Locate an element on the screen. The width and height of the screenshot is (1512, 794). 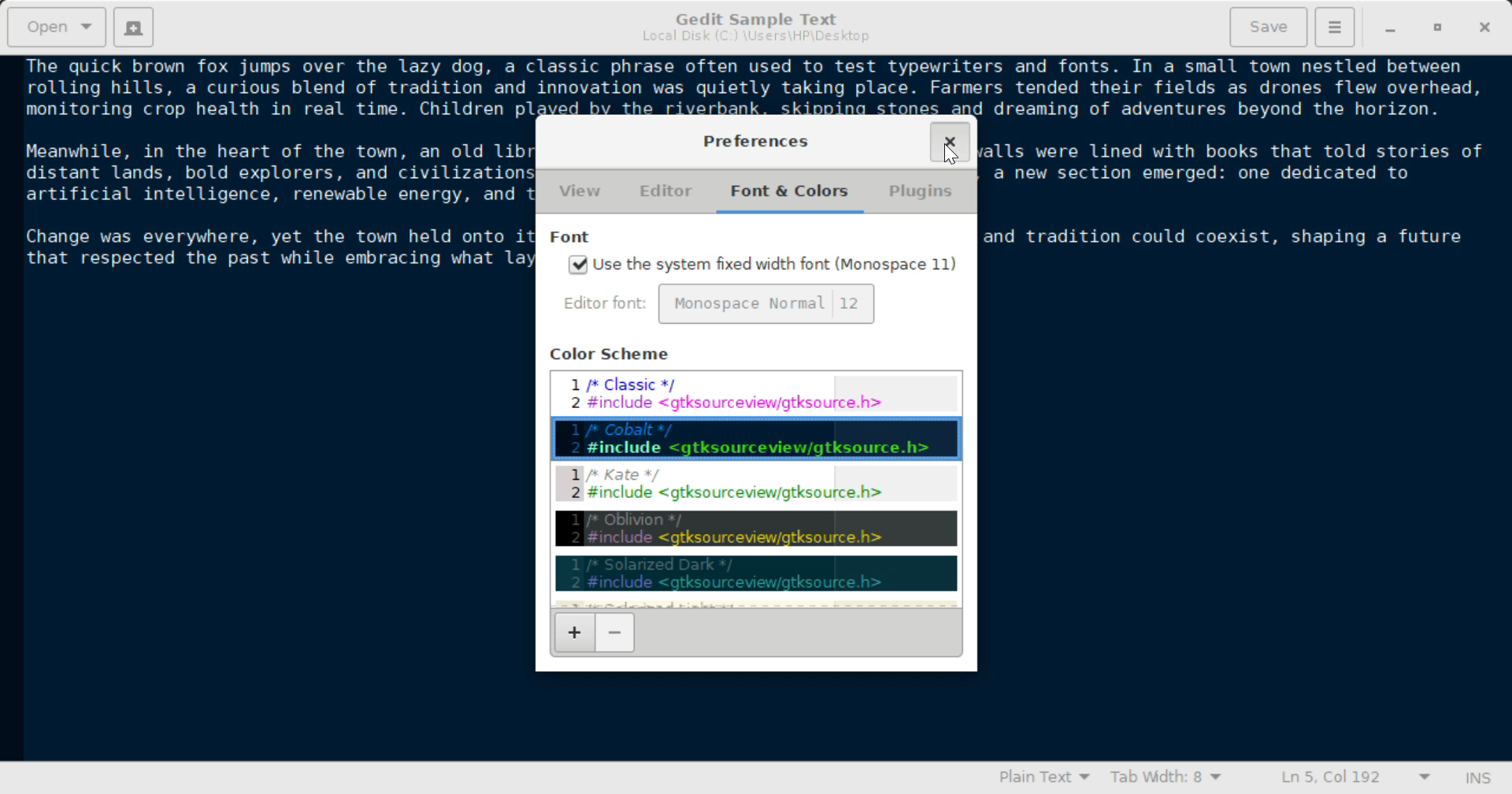
Cobalt Color Scheme is located at coordinates (754, 437).